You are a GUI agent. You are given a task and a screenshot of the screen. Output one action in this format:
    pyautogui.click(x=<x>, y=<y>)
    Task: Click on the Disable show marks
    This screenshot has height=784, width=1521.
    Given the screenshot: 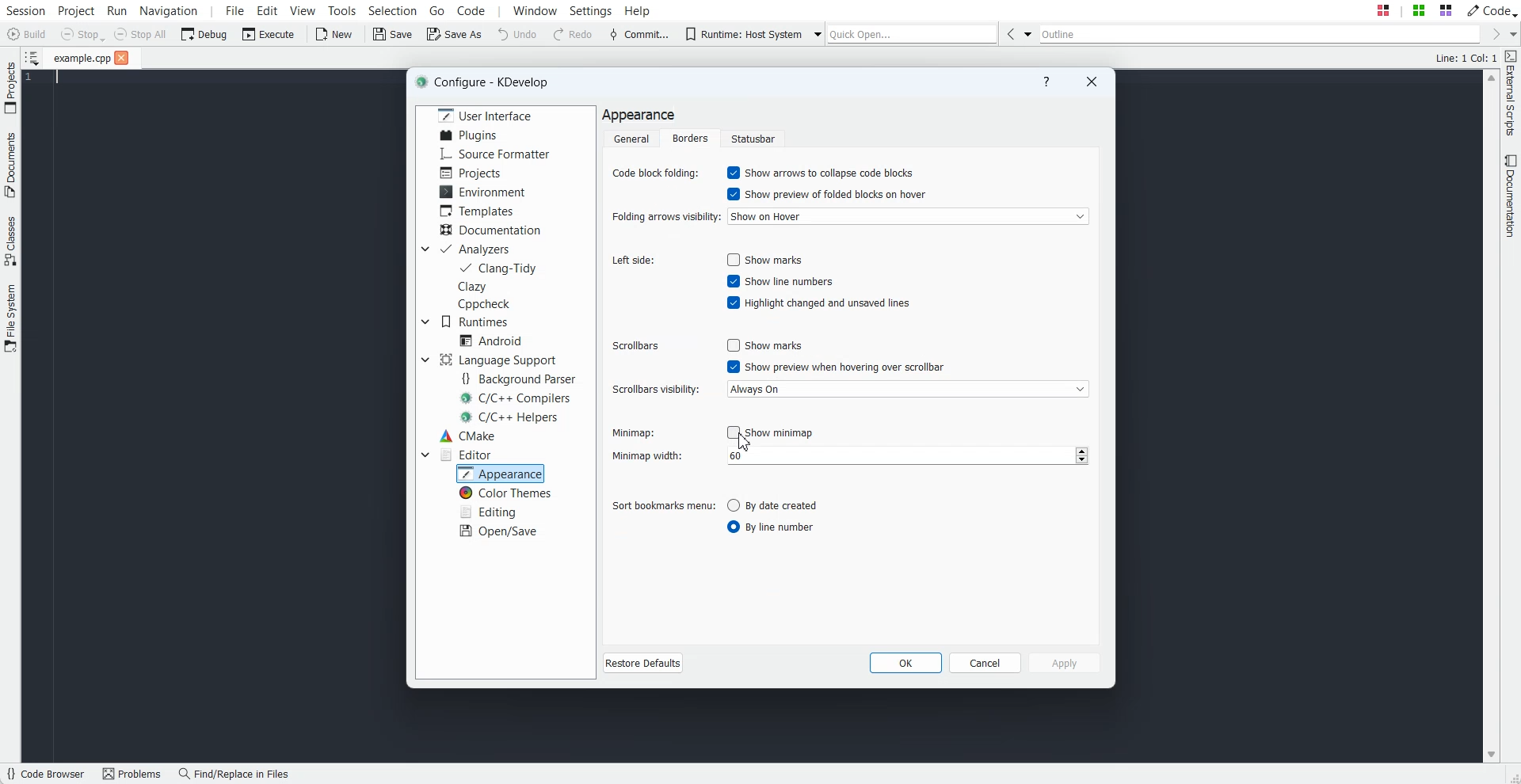 What is the action you would take?
    pyautogui.click(x=770, y=346)
    